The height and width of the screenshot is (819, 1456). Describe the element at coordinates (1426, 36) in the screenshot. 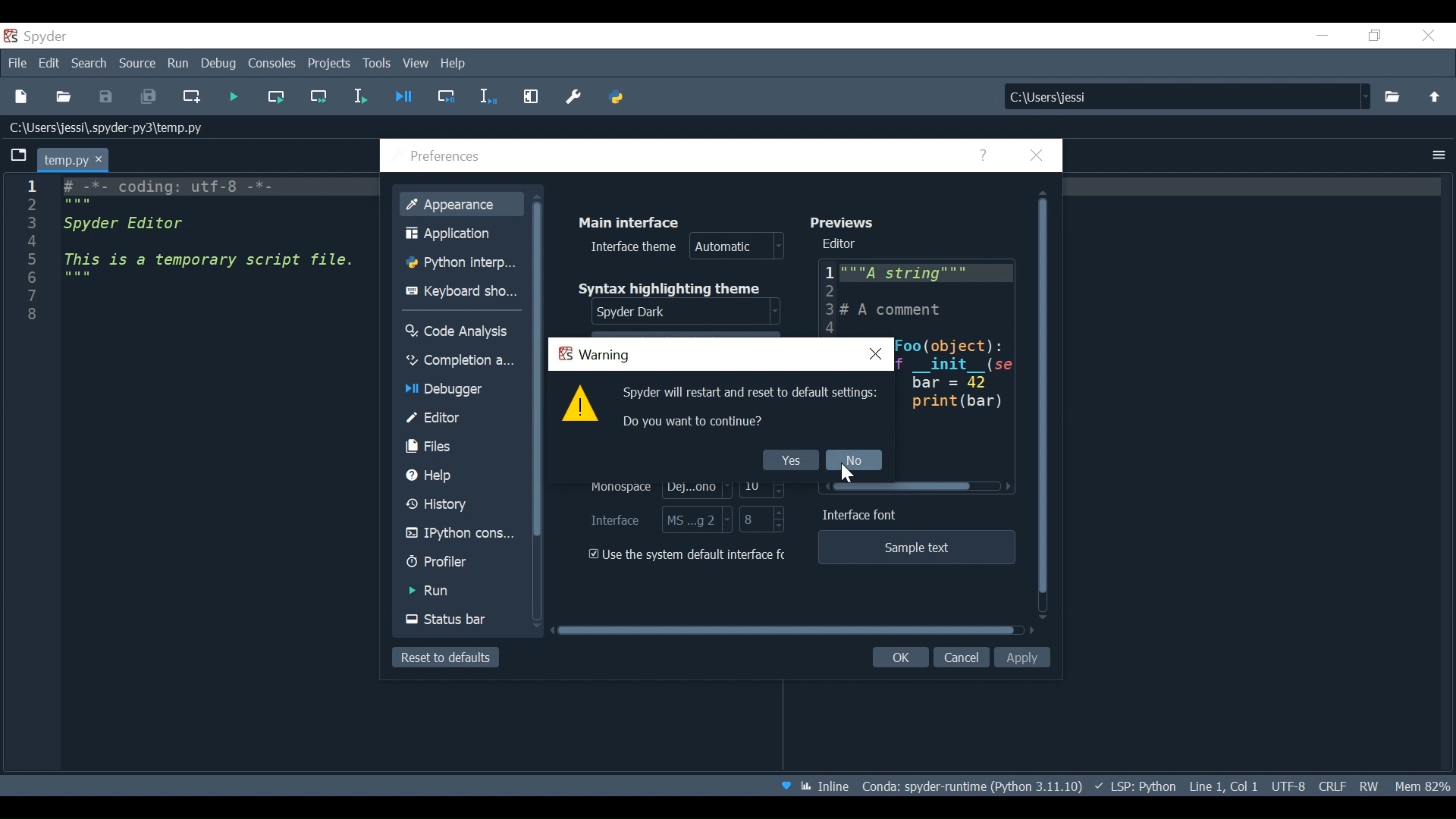

I see `Close` at that location.